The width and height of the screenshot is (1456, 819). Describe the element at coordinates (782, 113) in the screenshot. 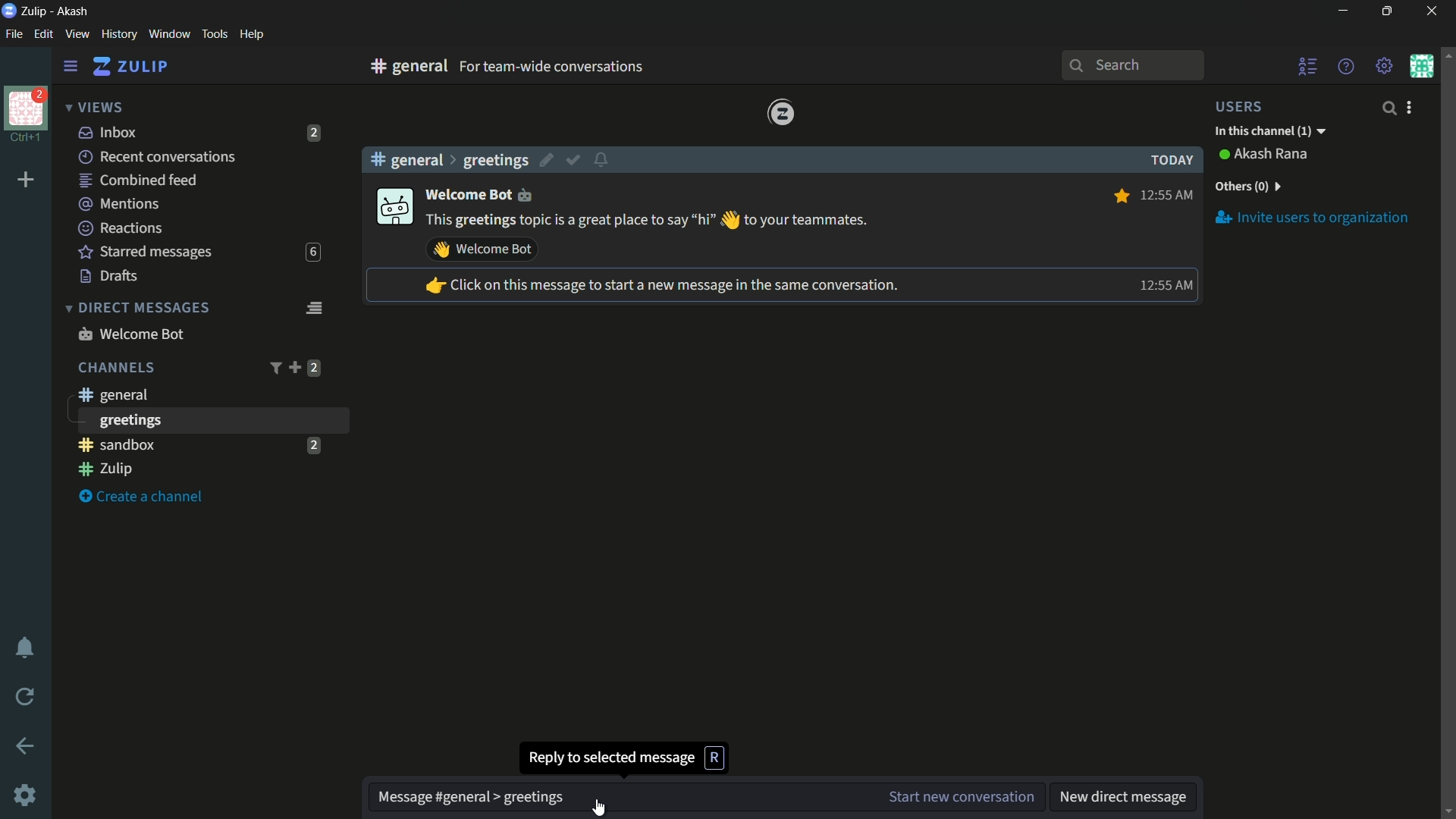

I see `Zulip logo` at that location.